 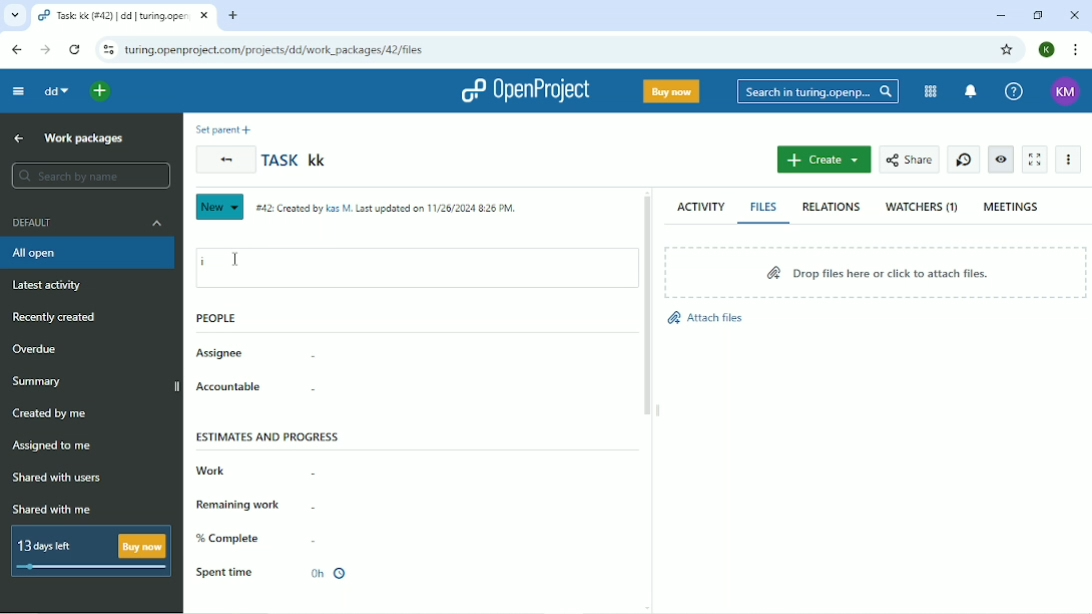 I want to click on More, so click(x=1070, y=159).